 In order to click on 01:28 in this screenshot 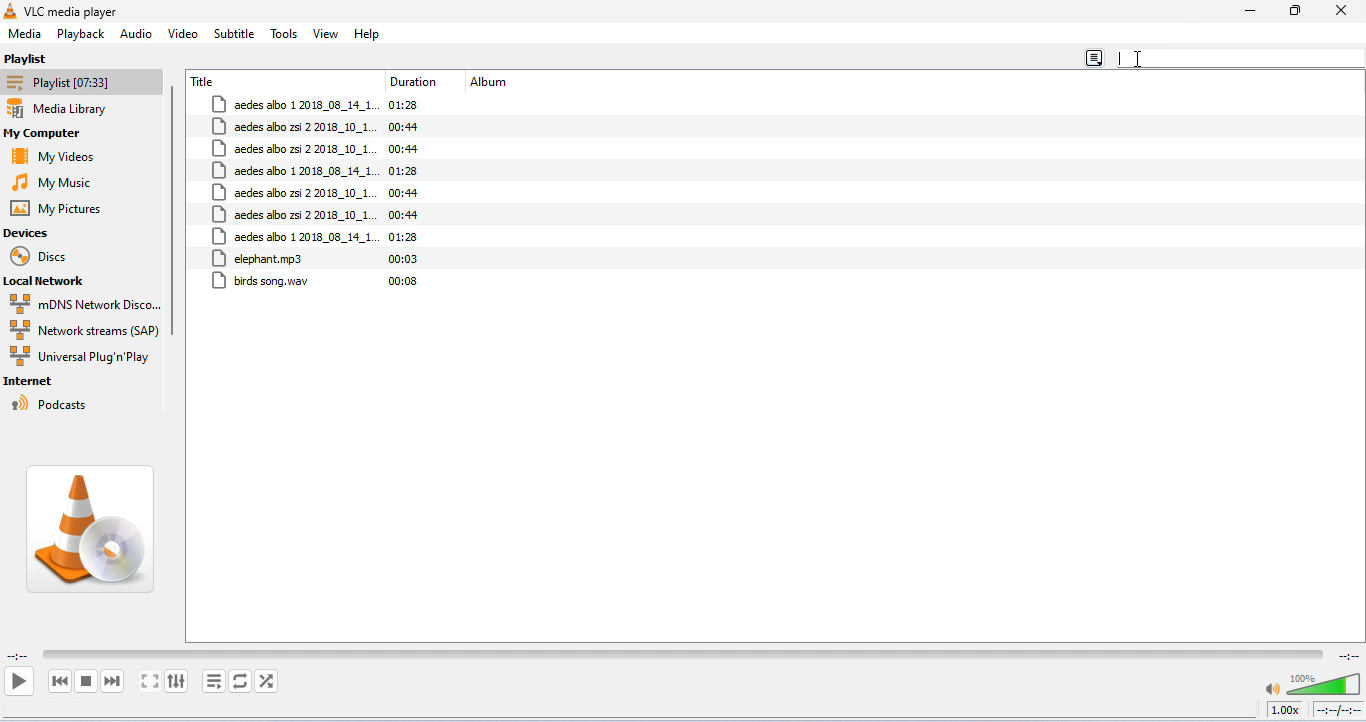, I will do `click(404, 238)`.